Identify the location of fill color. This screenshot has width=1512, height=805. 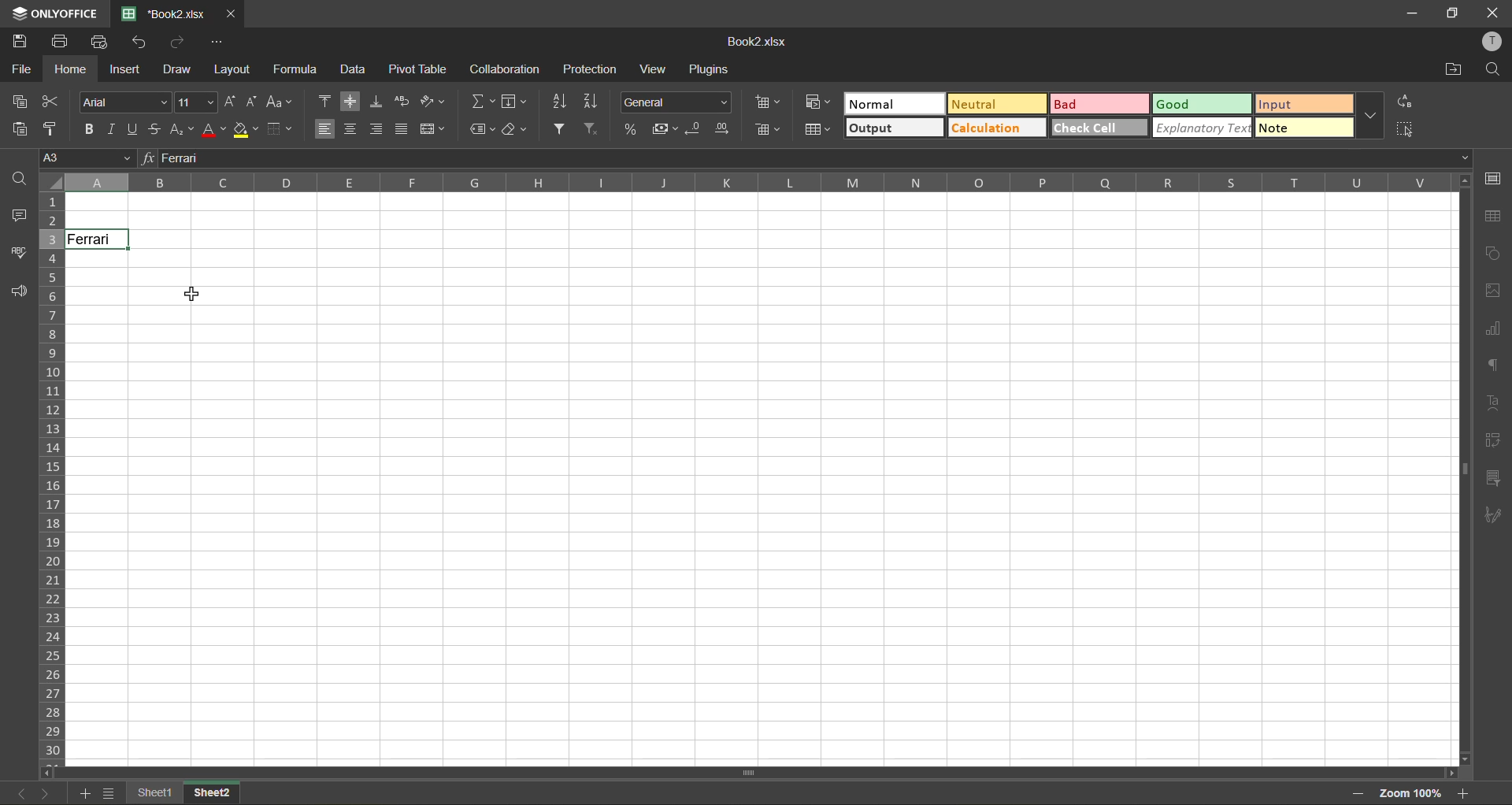
(242, 129).